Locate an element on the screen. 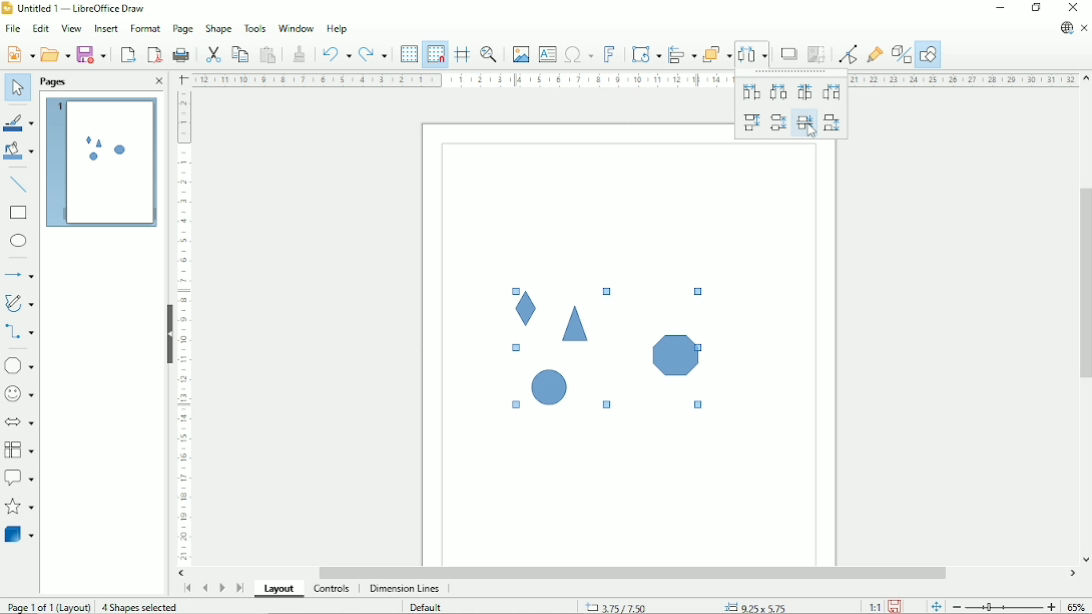  Export is located at coordinates (128, 54).